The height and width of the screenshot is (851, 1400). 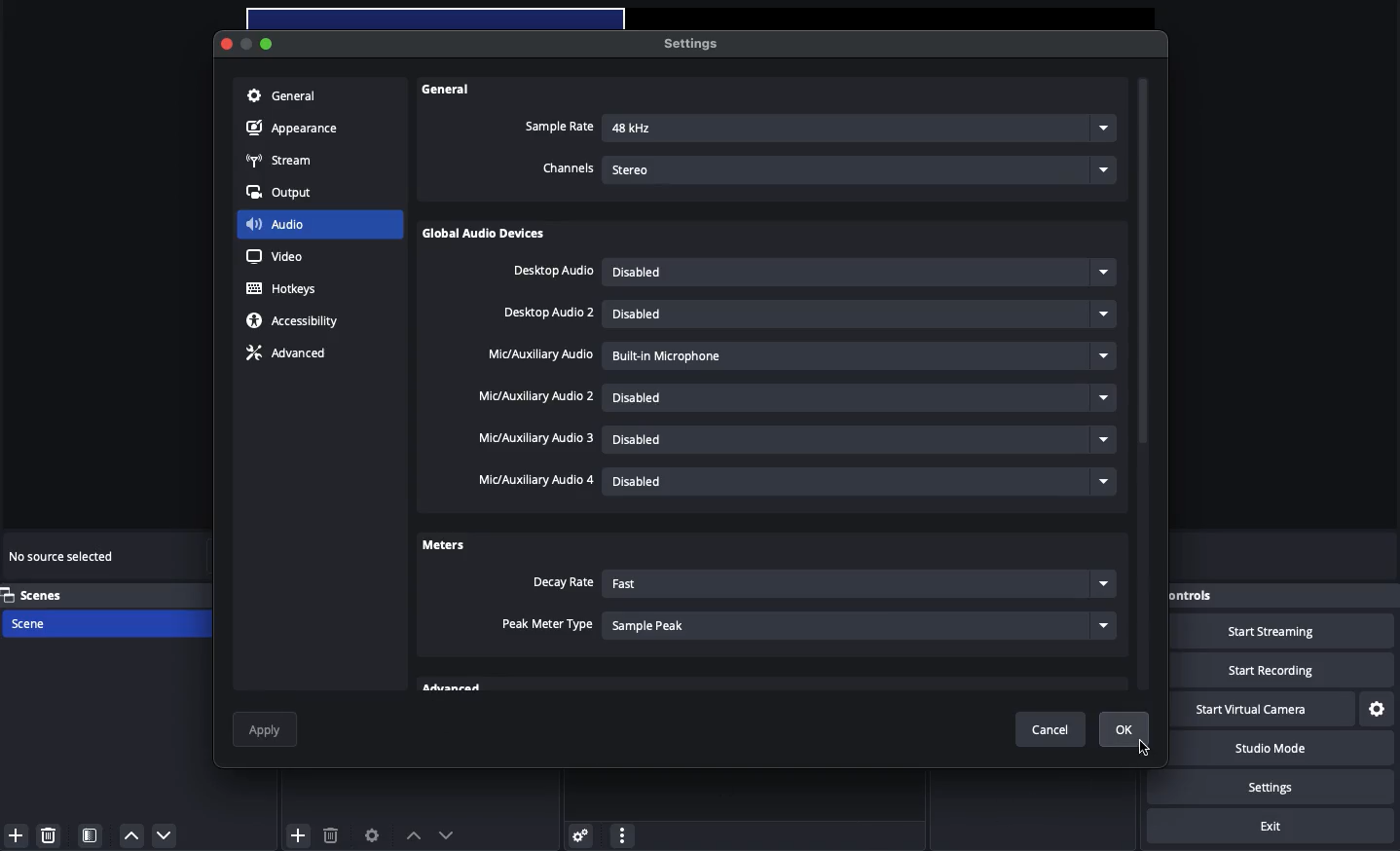 I want to click on Ok, so click(x=1124, y=729).